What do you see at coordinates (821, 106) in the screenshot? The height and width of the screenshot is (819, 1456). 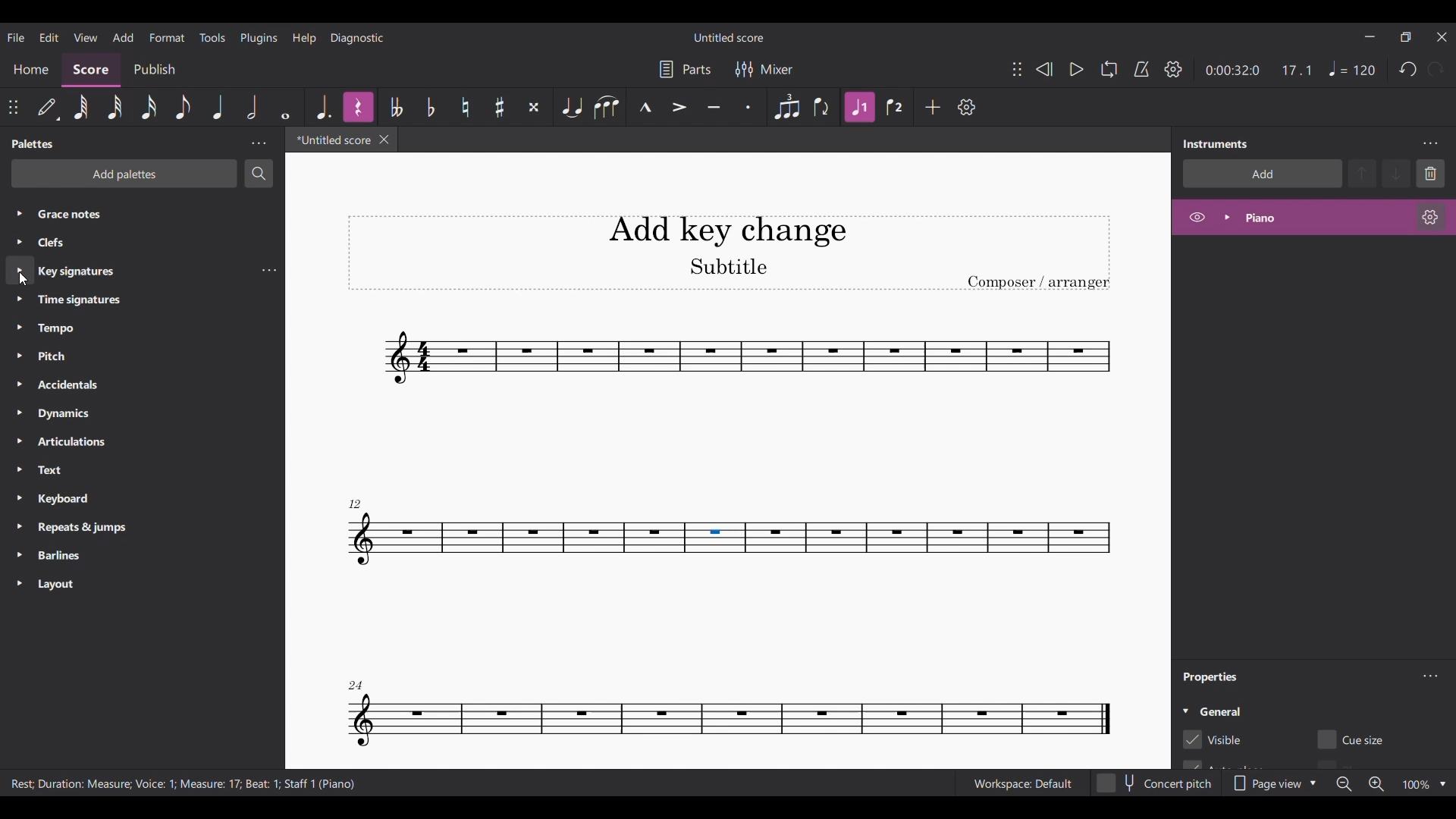 I see `Flip direction` at bounding box center [821, 106].